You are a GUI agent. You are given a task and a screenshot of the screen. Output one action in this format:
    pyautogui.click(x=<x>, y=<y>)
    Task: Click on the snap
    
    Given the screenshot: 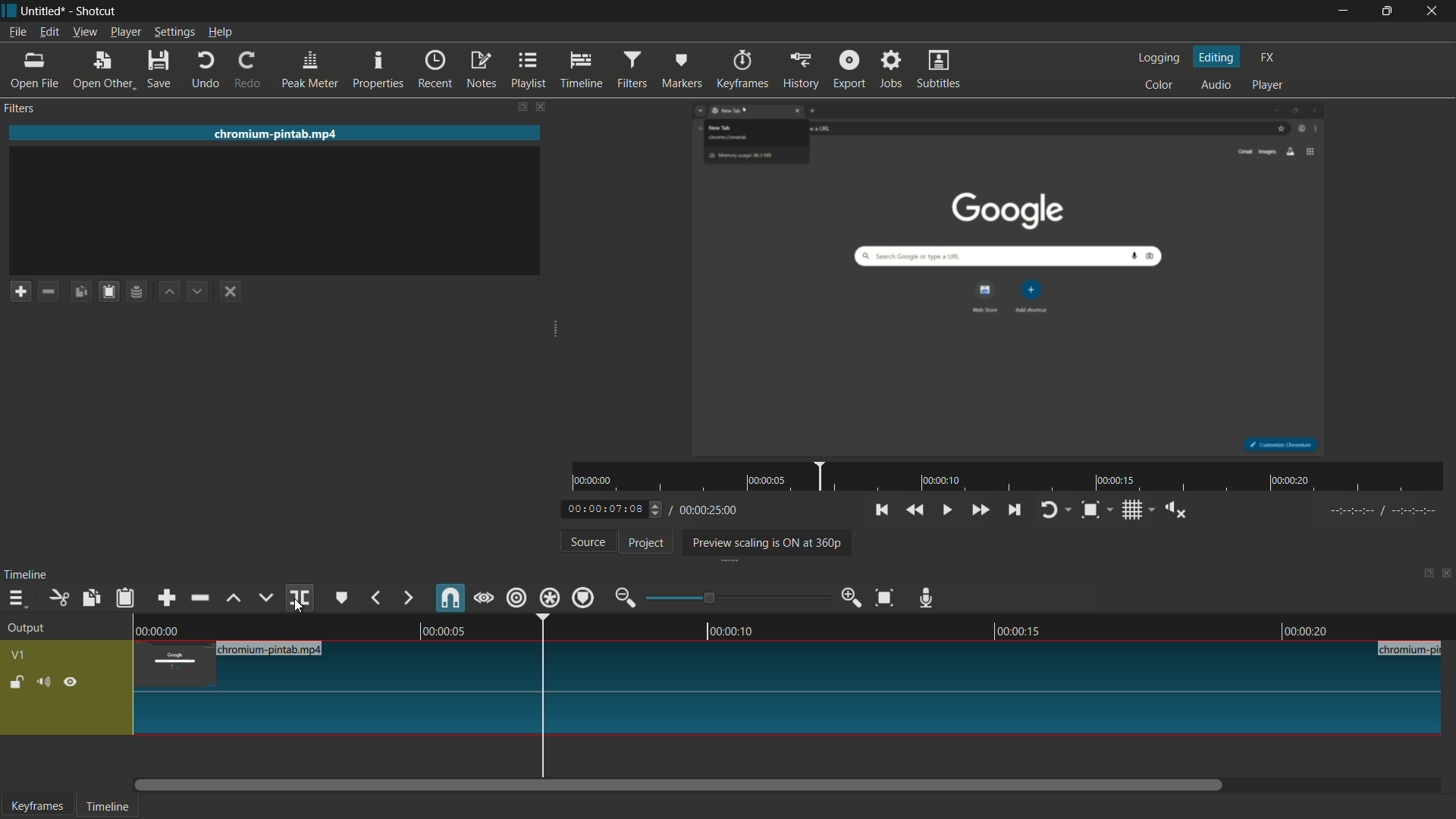 What is the action you would take?
    pyautogui.click(x=449, y=598)
    